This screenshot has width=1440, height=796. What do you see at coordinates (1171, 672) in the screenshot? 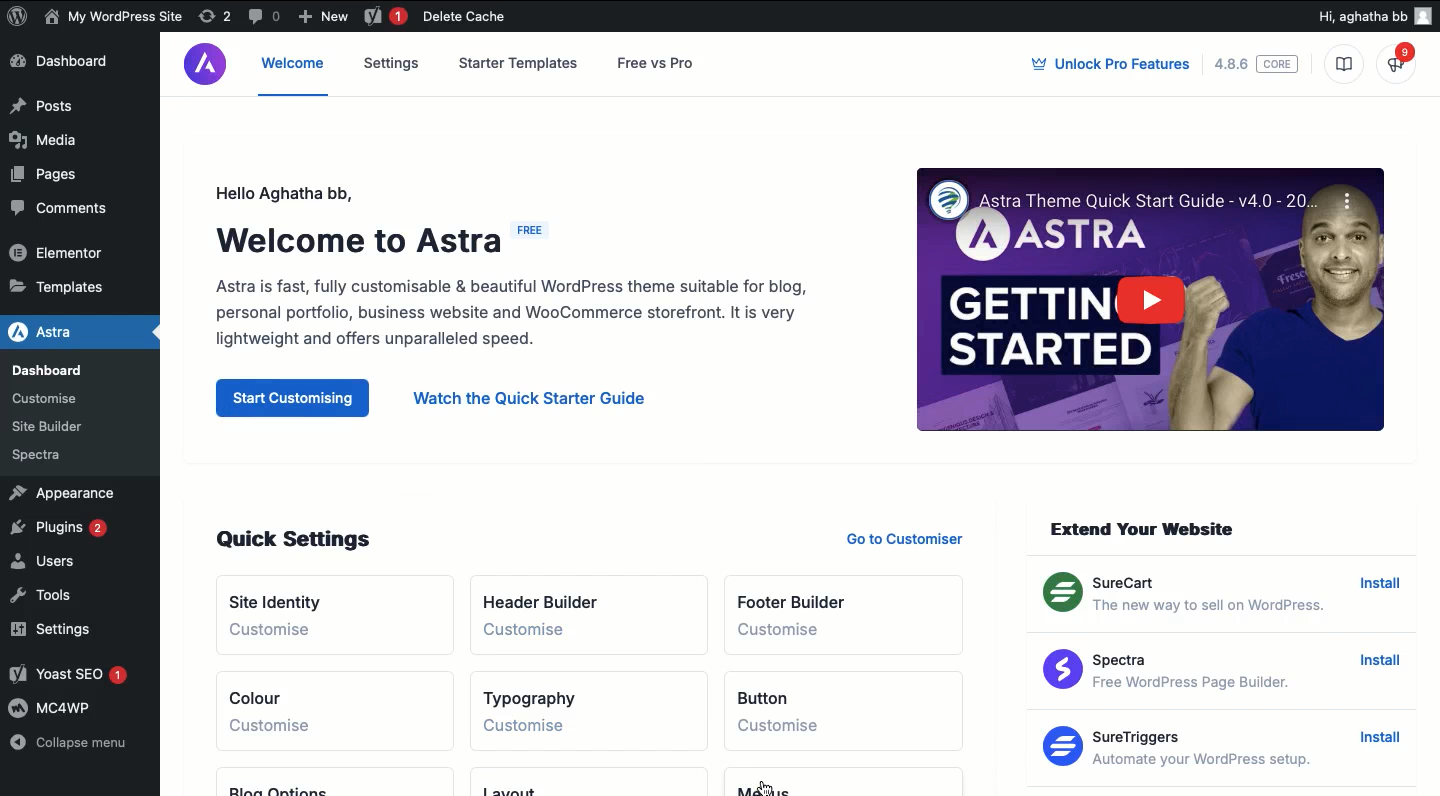
I see `Spectra` at bounding box center [1171, 672].